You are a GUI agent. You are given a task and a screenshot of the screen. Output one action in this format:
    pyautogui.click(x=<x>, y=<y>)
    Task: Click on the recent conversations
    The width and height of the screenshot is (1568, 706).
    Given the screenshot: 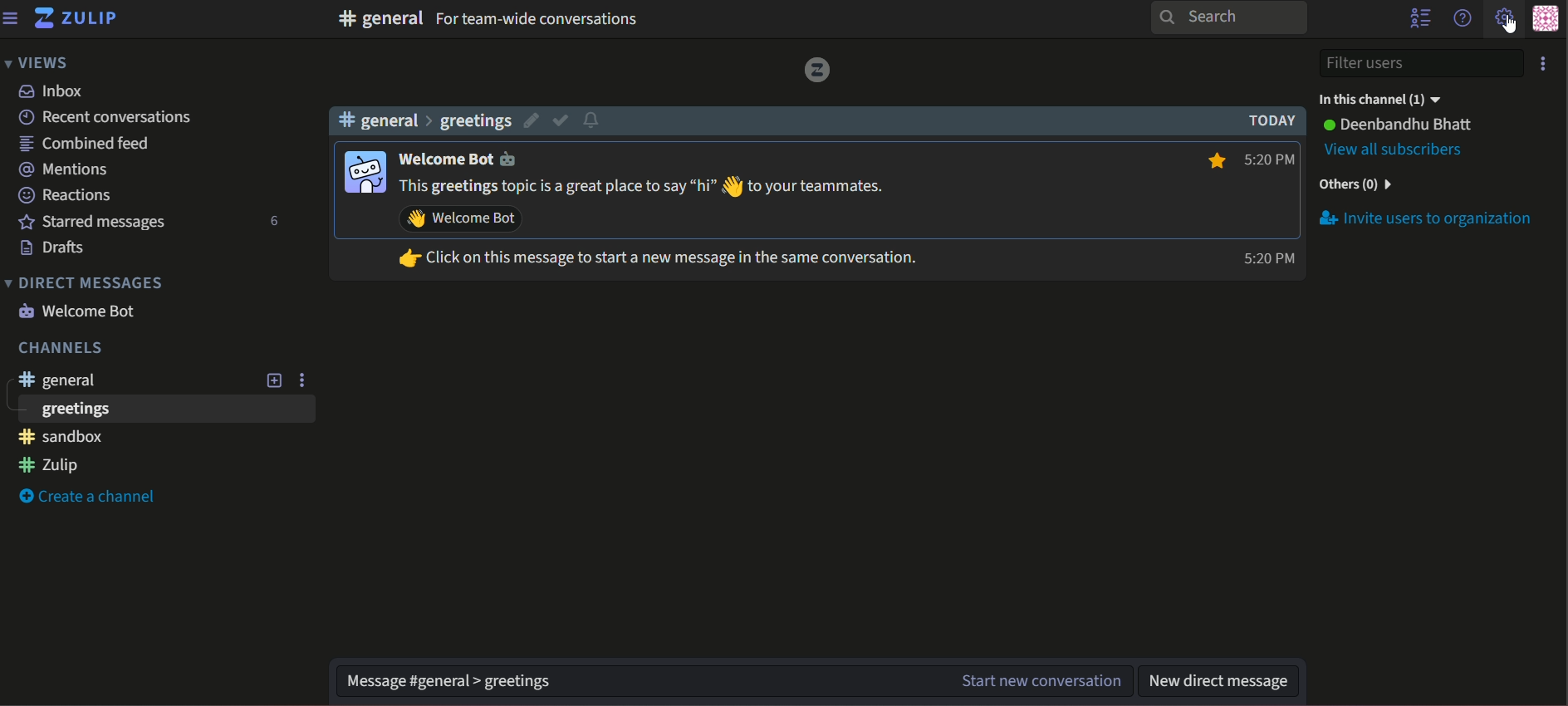 What is the action you would take?
    pyautogui.click(x=105, y=117)
    